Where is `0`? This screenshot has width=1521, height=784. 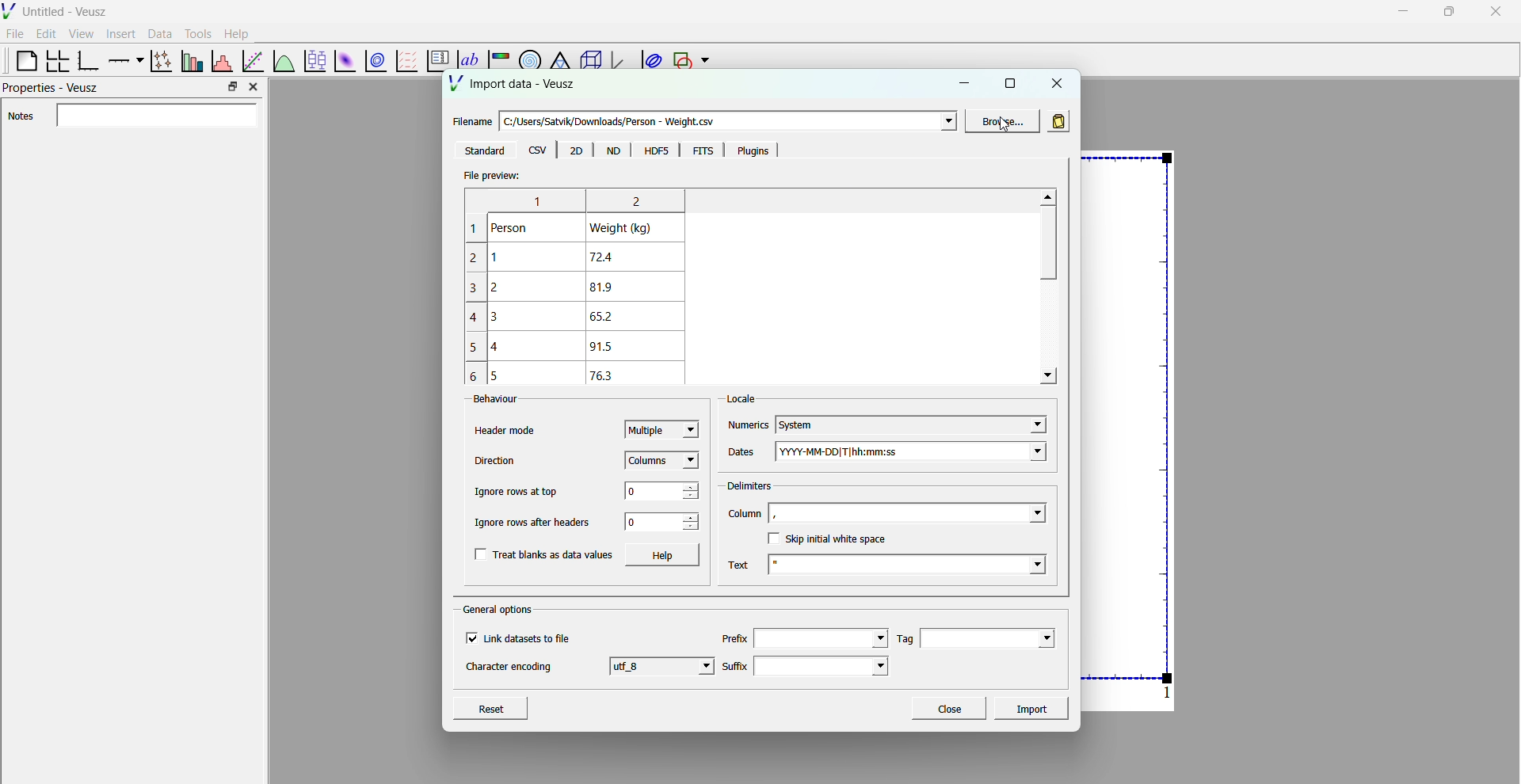
0 is located at coordinates (641, 491).